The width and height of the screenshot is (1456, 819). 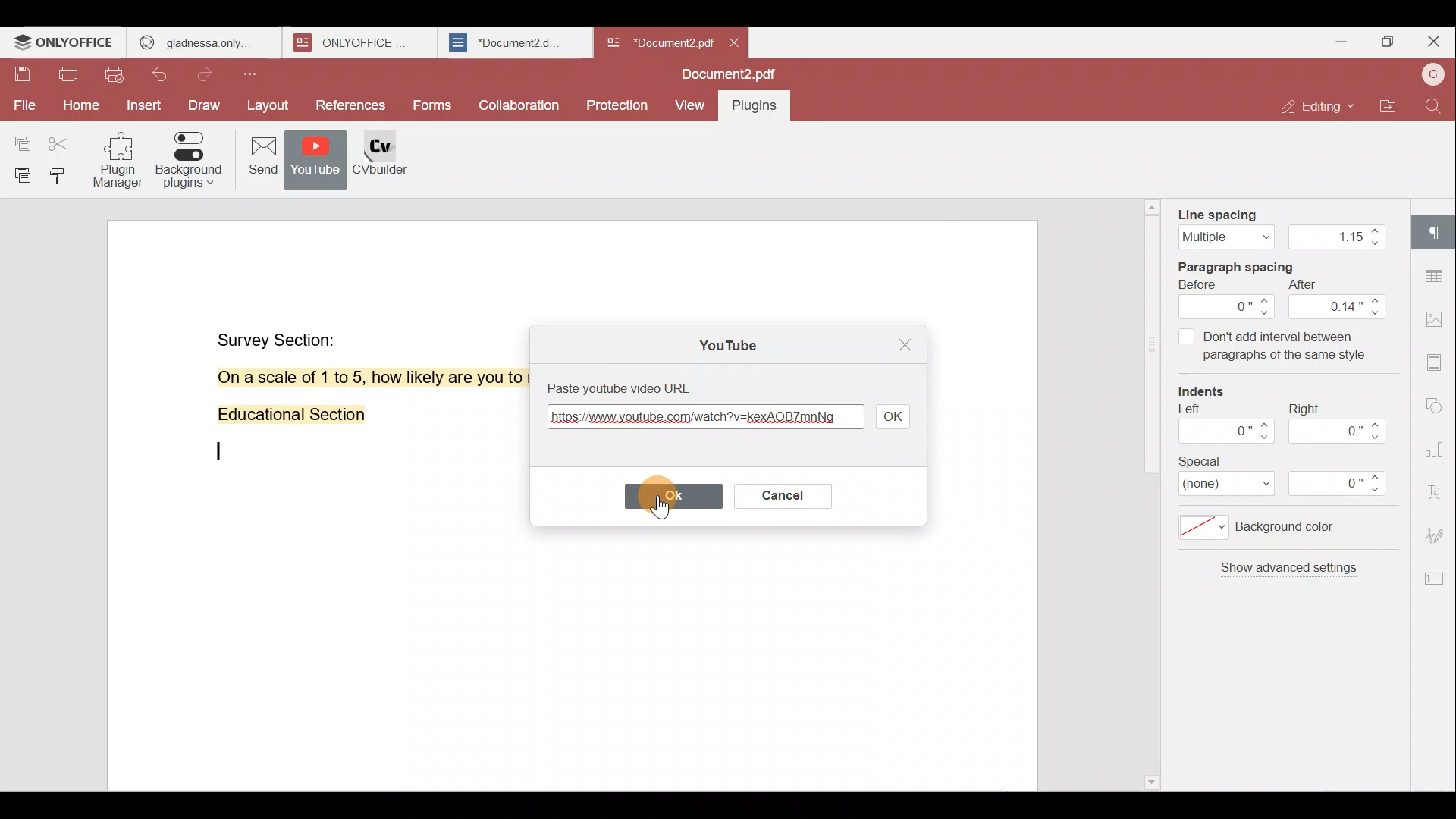 I want to click on Open file location, so click(x=1389, y=108).